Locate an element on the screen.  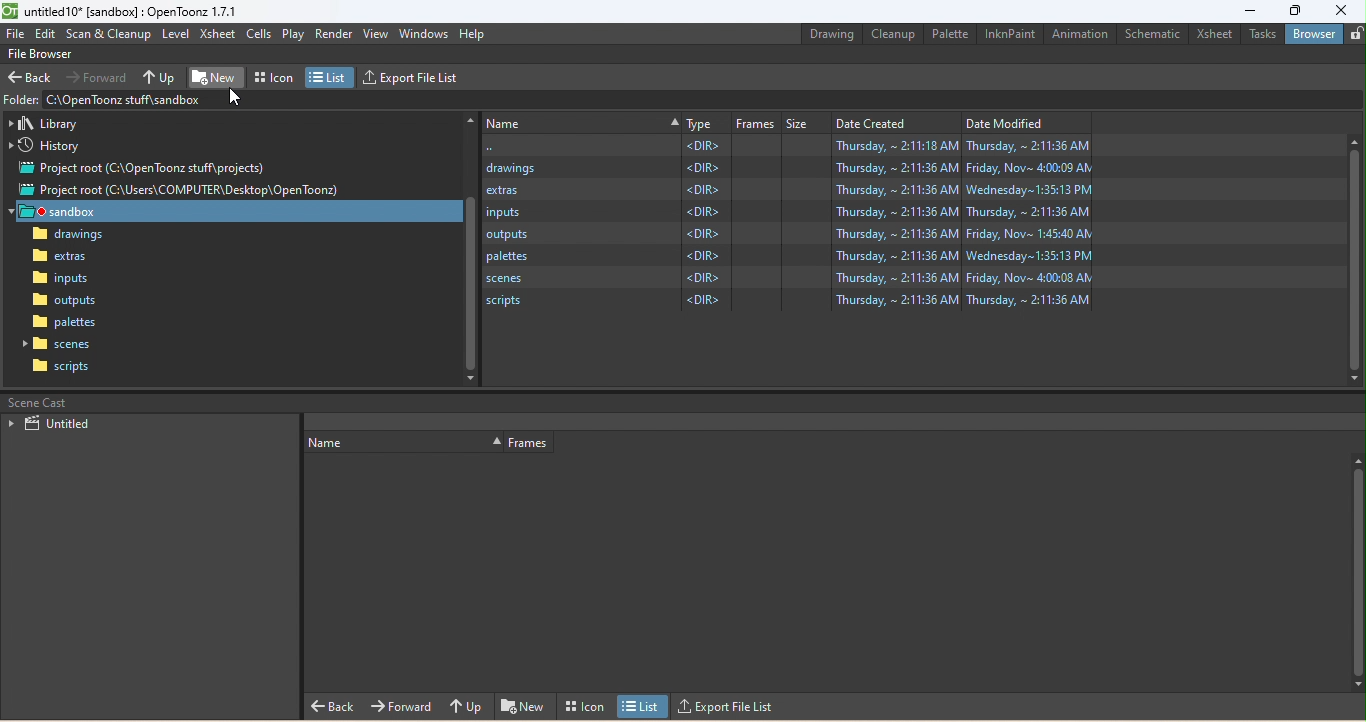
Play is located at coordinates (291, 35).